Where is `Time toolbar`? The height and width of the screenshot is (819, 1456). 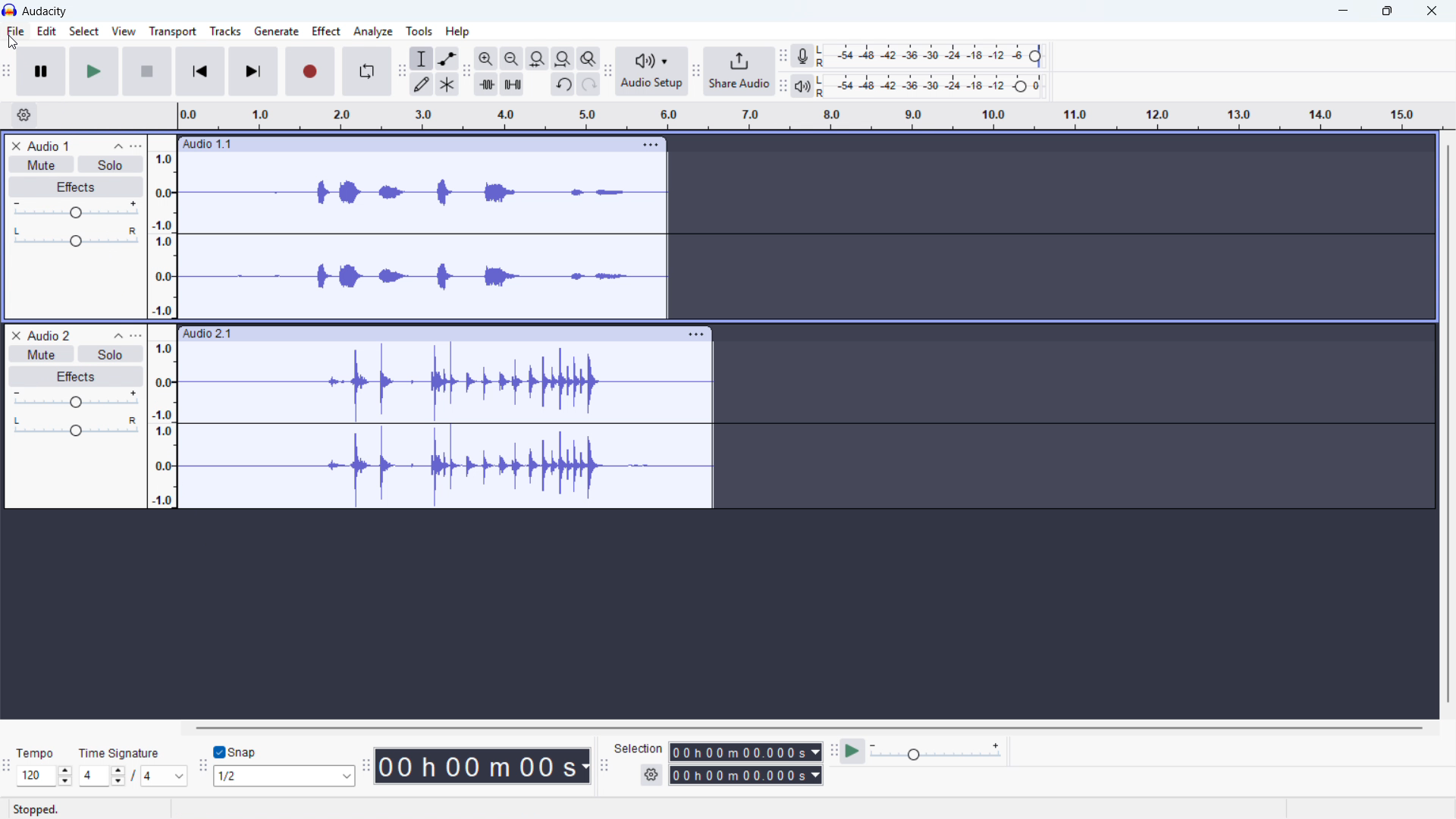
Time toolbar is located at coordinates (368, 767).